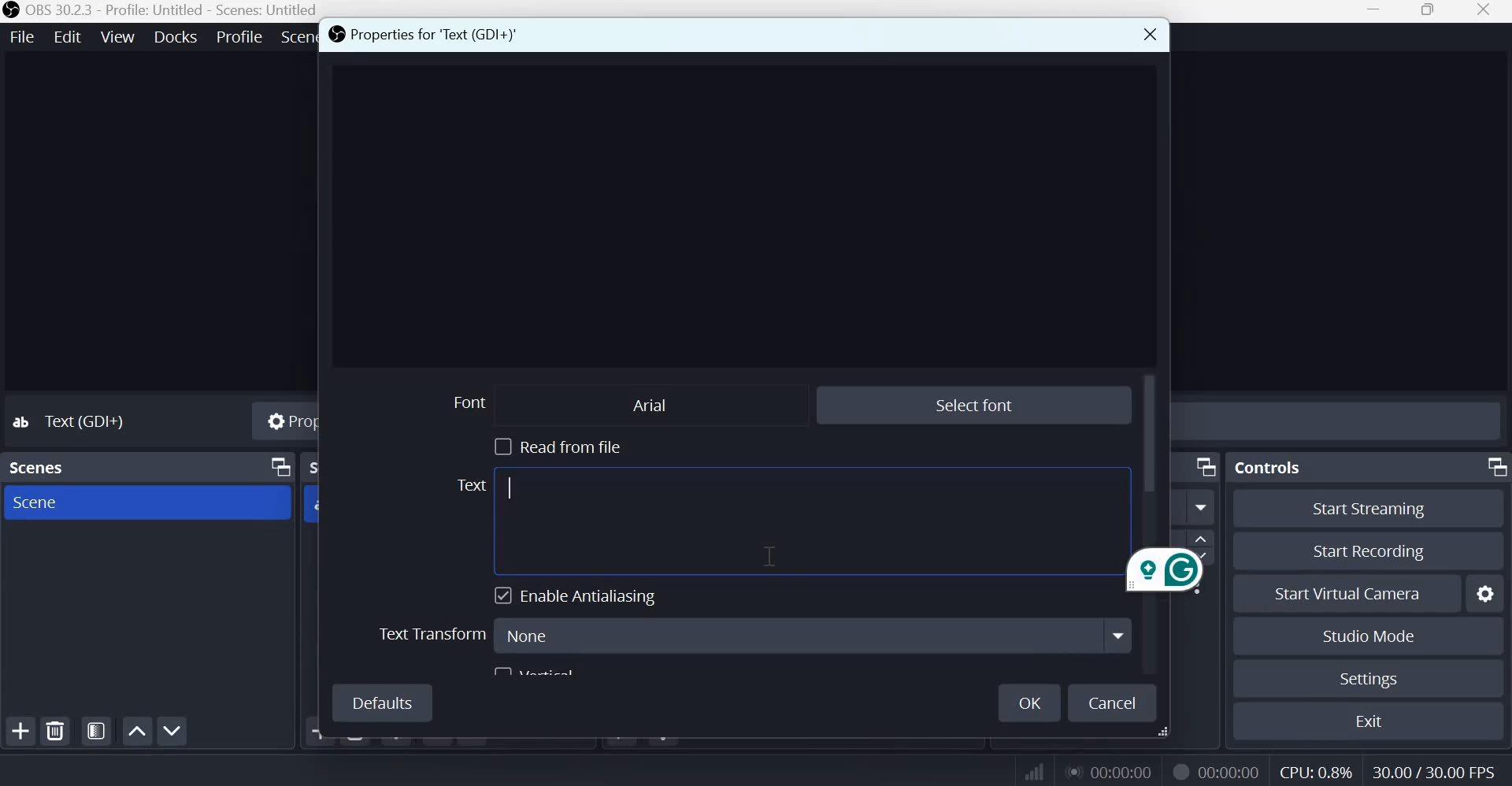 This screenshot has width=1512, height=786. What do you see at coordinates (1488, 12) in the screenshot?
I see `Close` at bounding box center [1488, 12].